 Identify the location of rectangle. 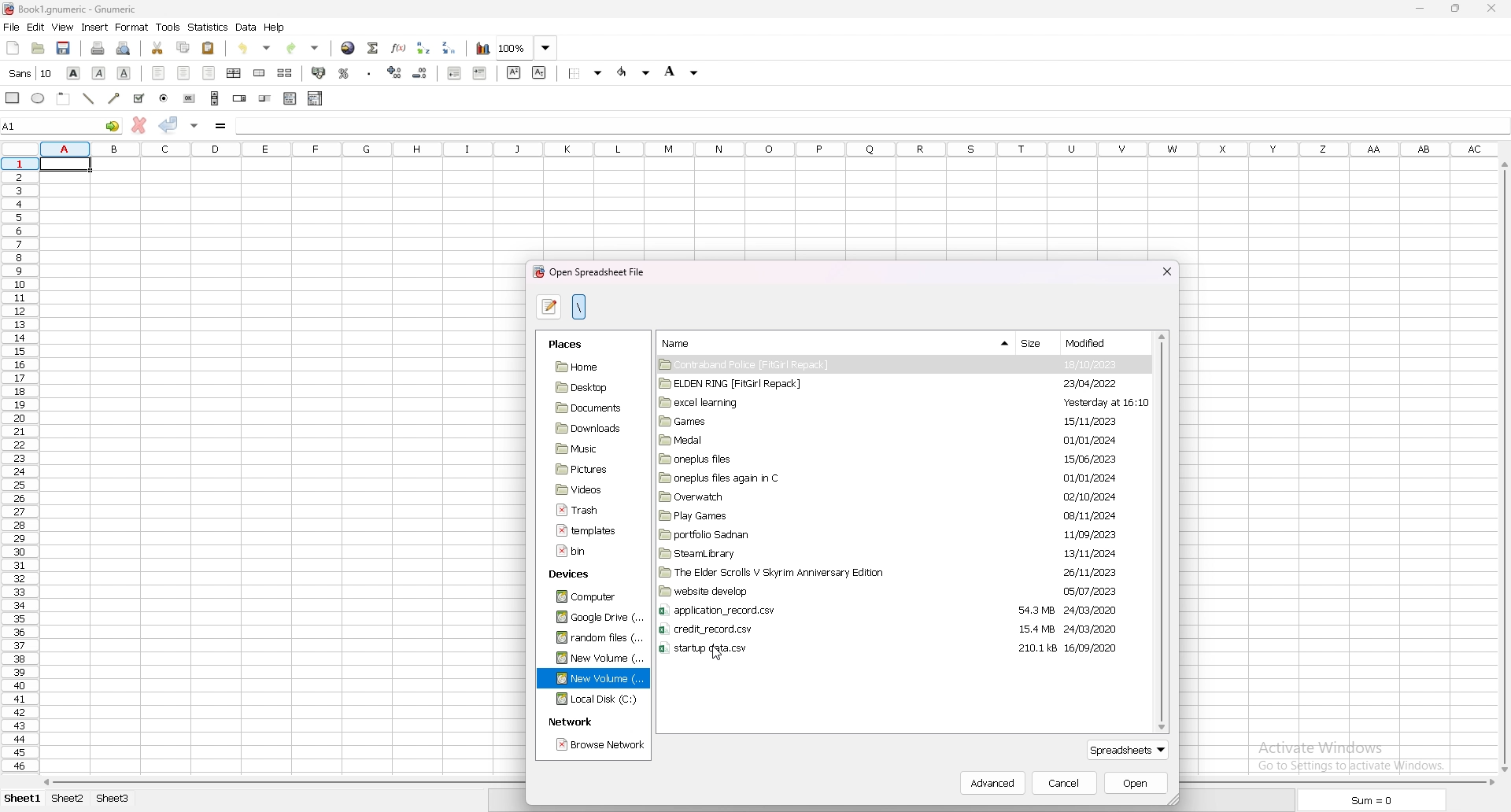
(13, 98).